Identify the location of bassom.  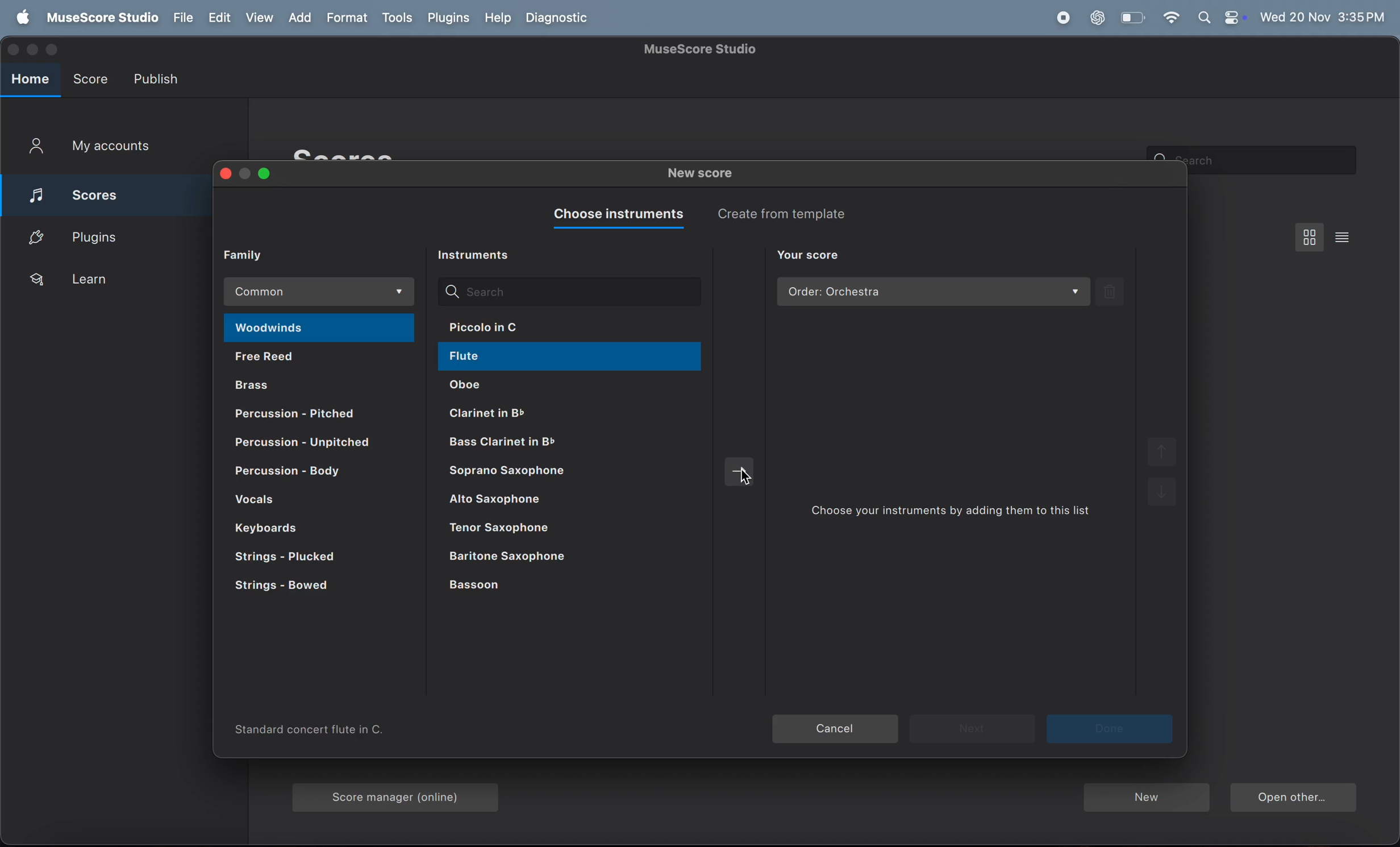
(531, 587).